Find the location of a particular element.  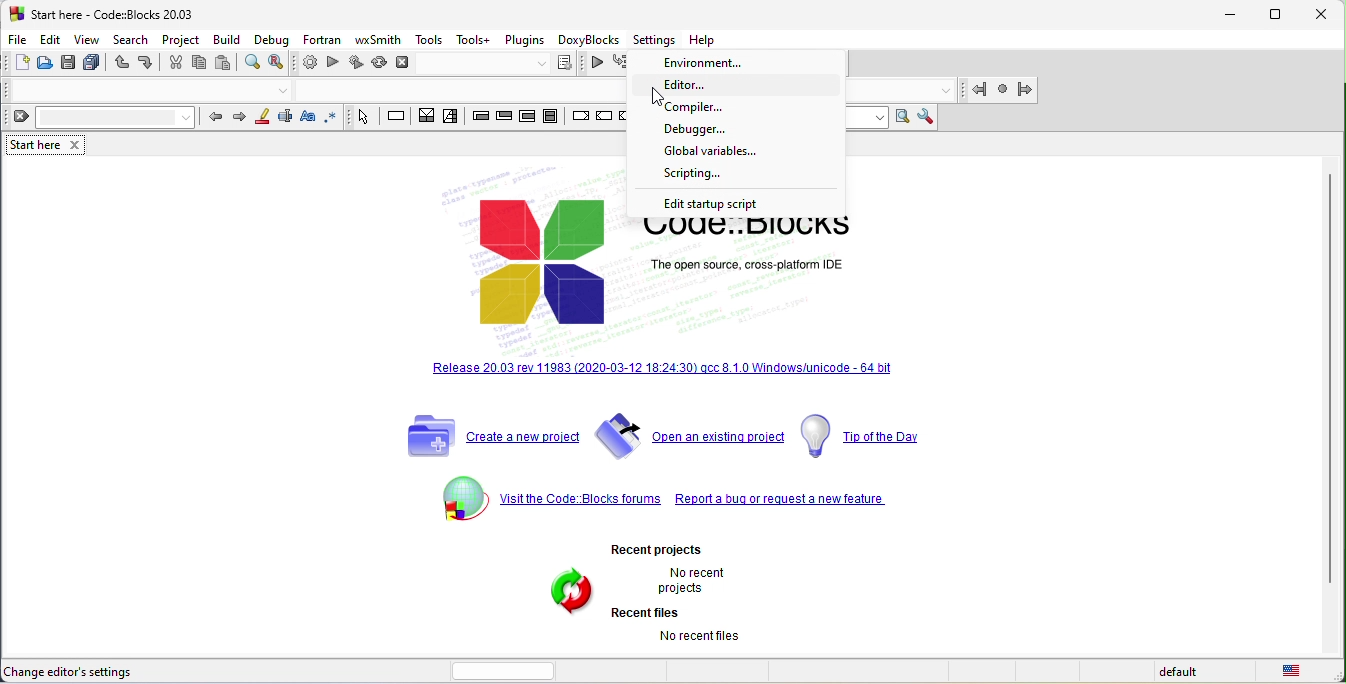

maximize is located at coordinates (1280, 16).